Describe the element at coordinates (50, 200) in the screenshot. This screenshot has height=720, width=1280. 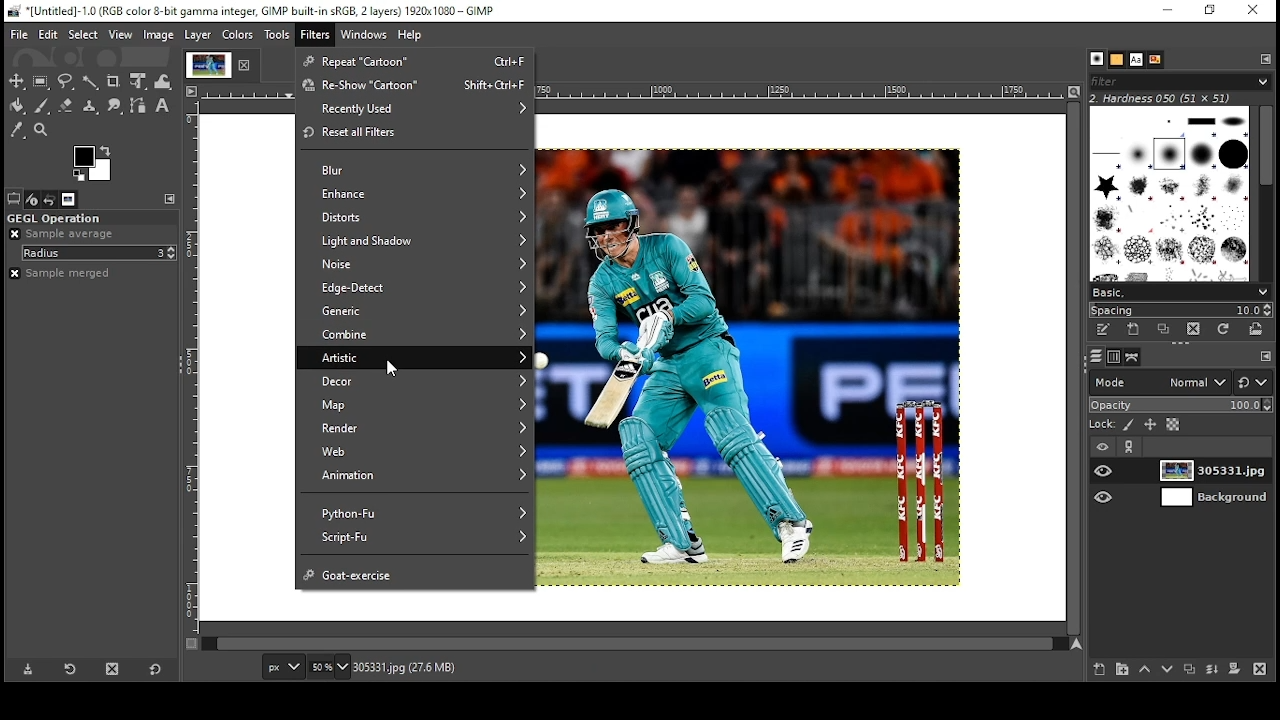
I see `undo history` at that location.